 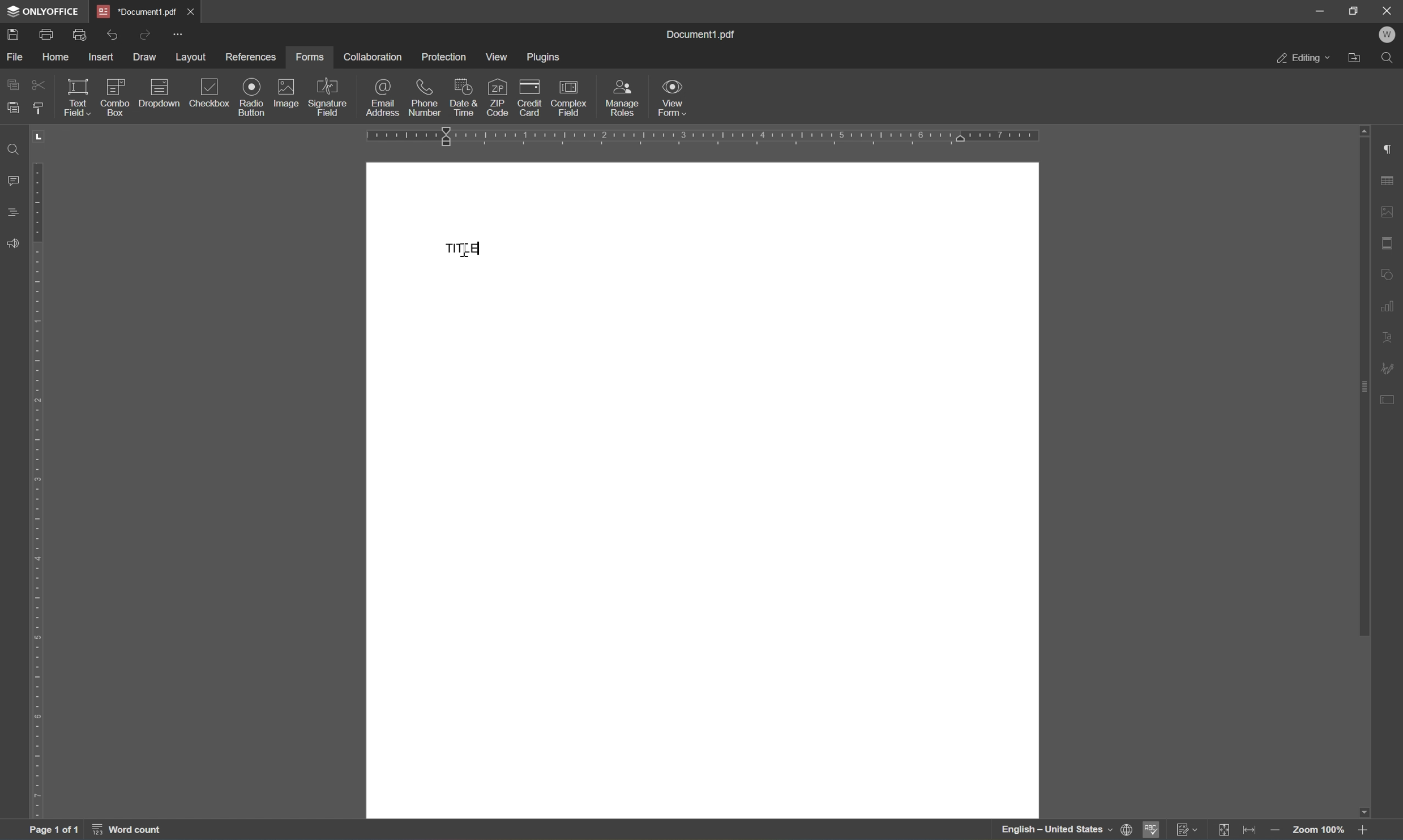 What do you see at coordinates (12, 84) in the screenshot?
I see `copy` at bounding box center [12, 84].